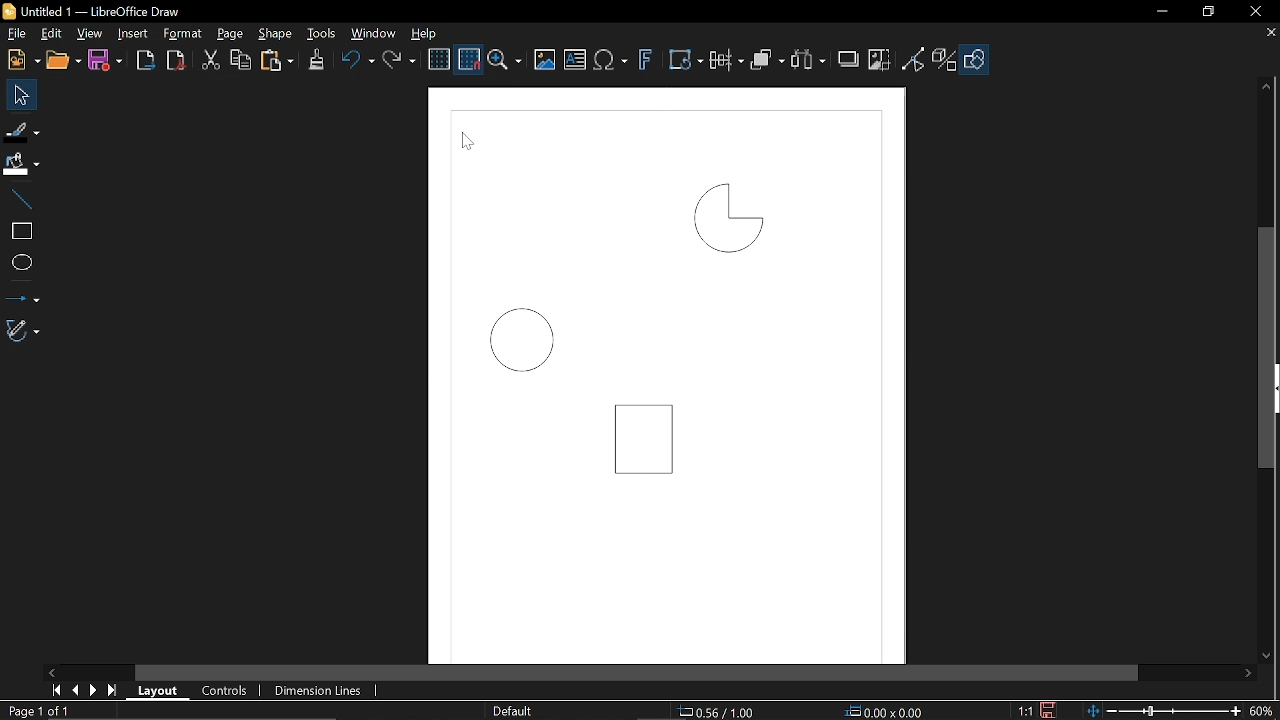 The height and width of the screenshot is (720, 1280). What do you see at coordinates (25, 295) in the screenshot?
I see `Lines and arrows` at bounding box center [25, 295].